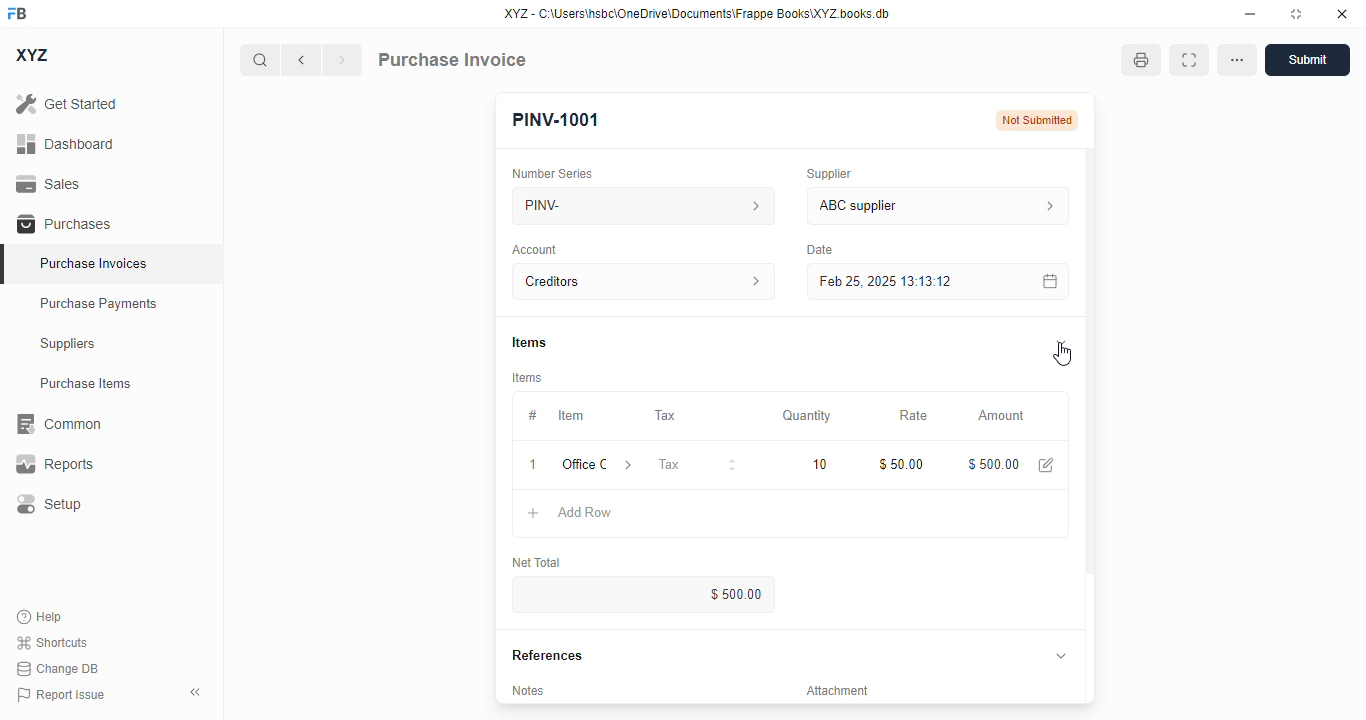 The height and width of the screenshot is (720, 1366). I want to click on tax, so click(667, 416).